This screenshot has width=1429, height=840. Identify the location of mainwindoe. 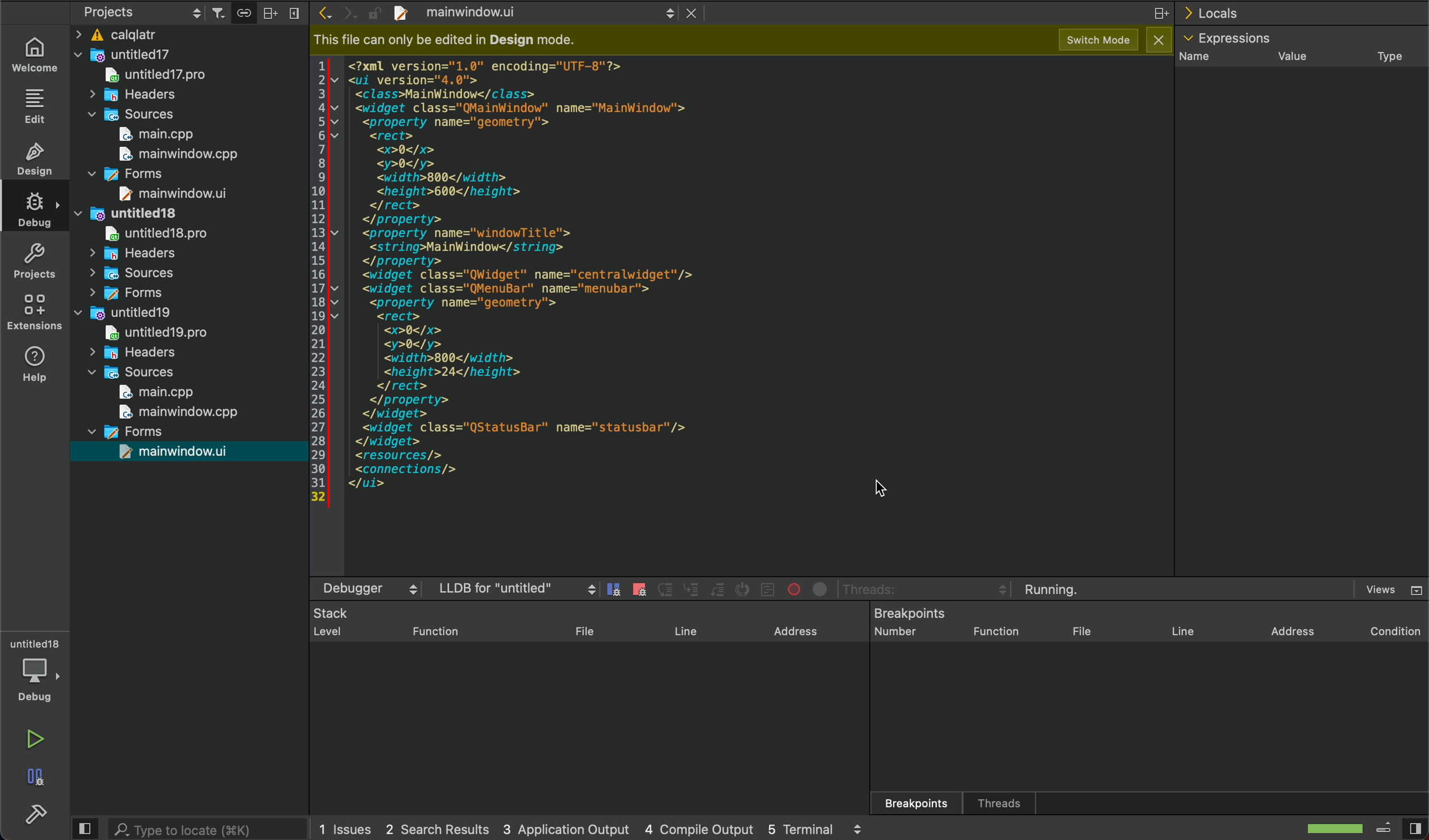
(472, 17).